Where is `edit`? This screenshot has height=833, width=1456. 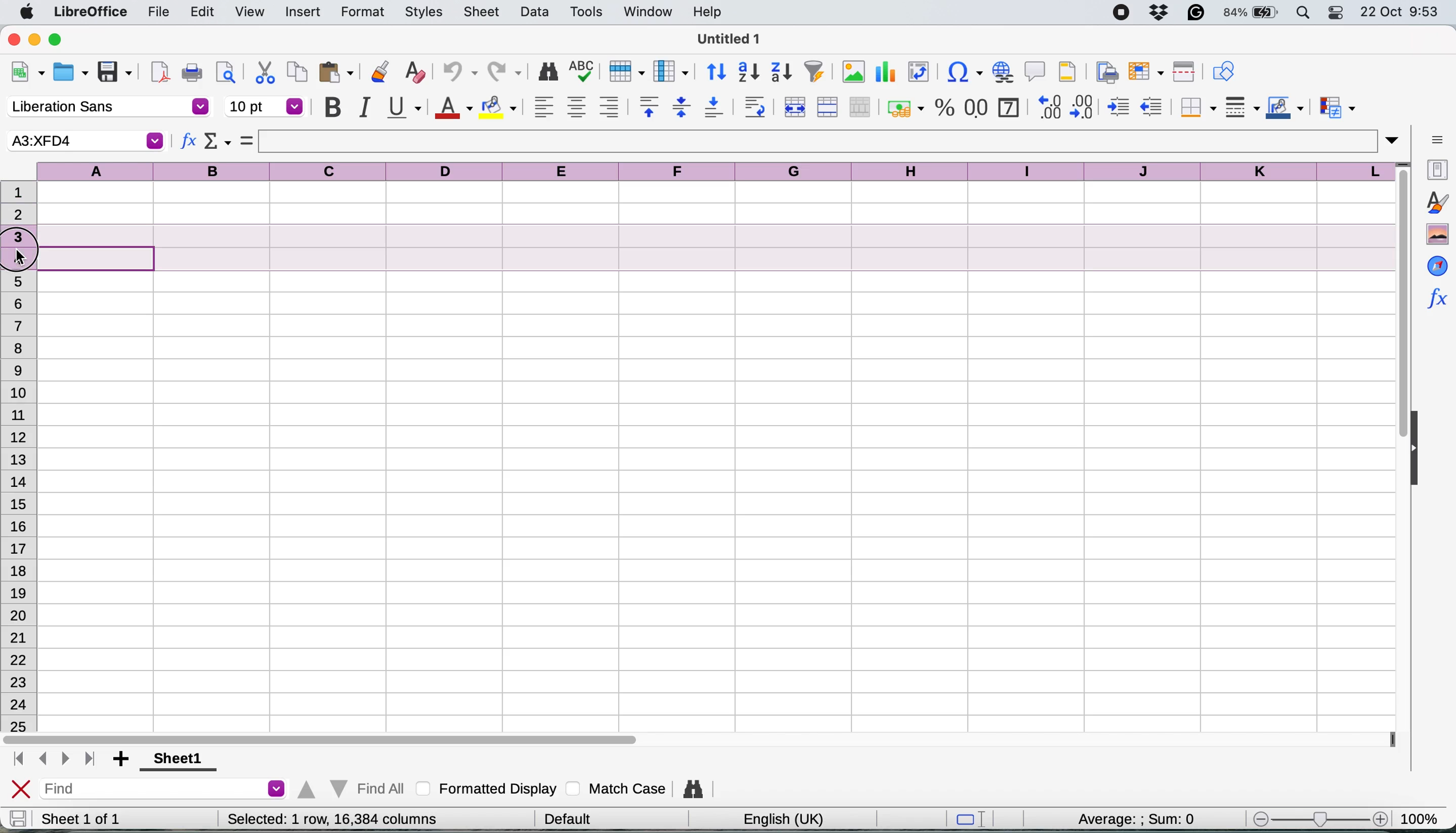
edit is located at coordinates (204, 11).